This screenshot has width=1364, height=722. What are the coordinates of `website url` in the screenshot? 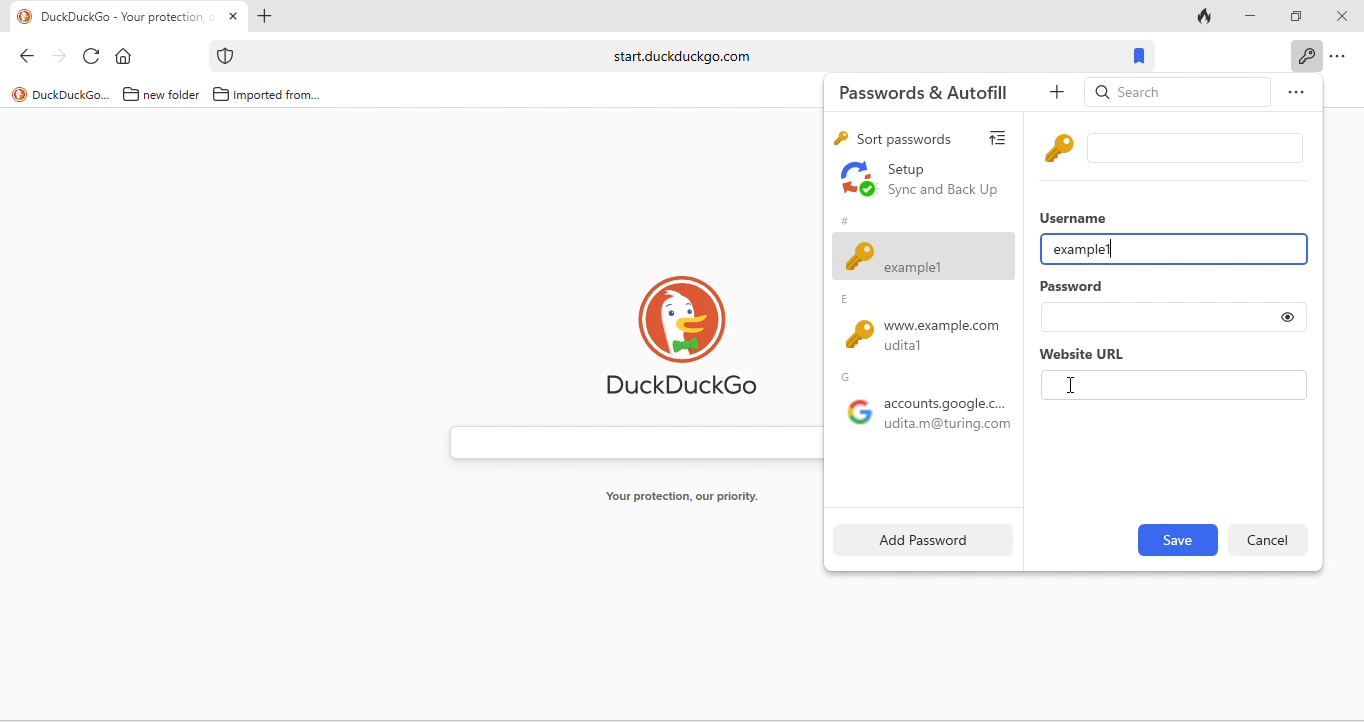 It's located at (1081, 354).